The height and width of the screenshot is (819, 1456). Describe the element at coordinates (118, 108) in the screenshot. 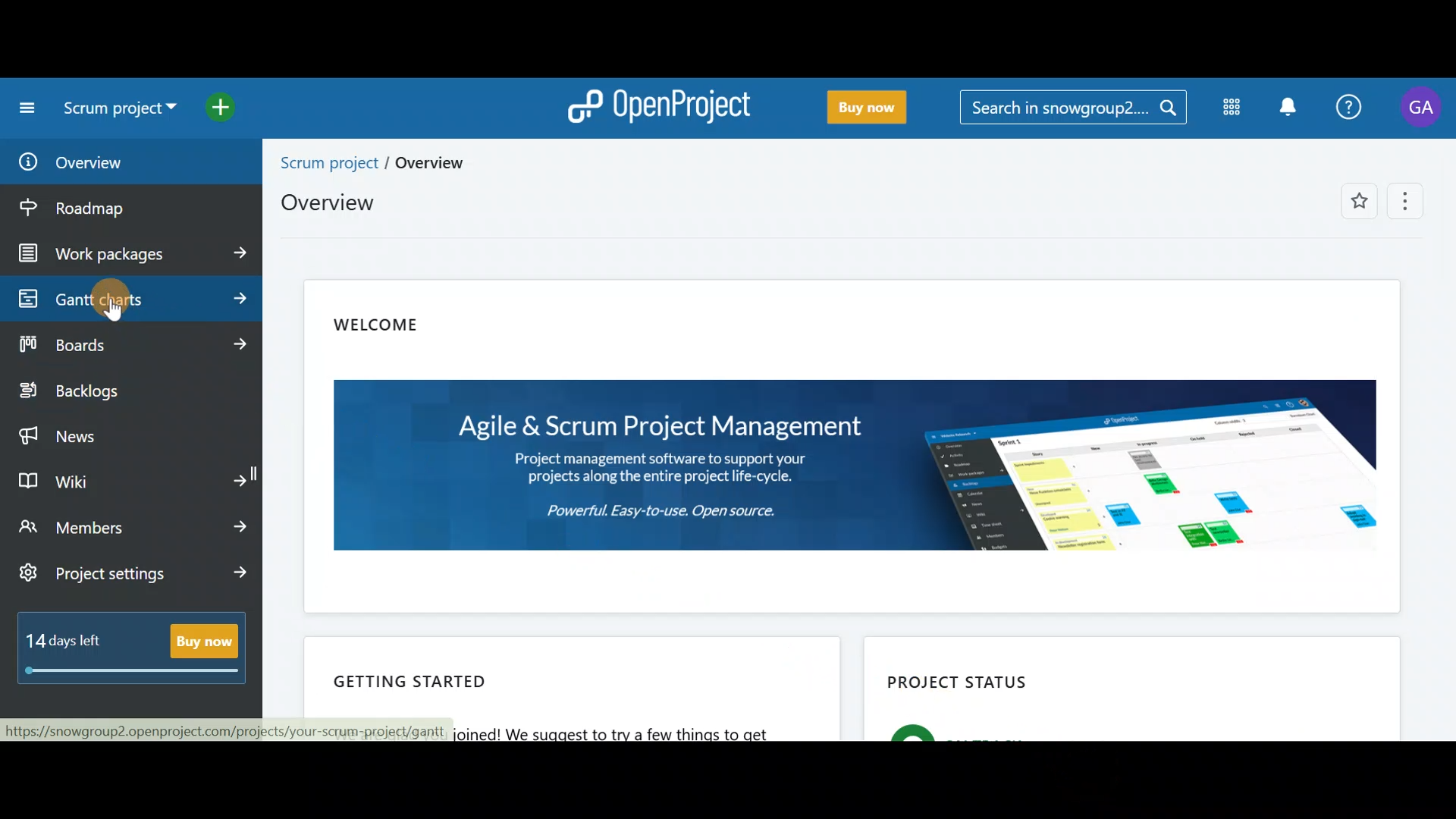

I see `Scrum project` at that location.